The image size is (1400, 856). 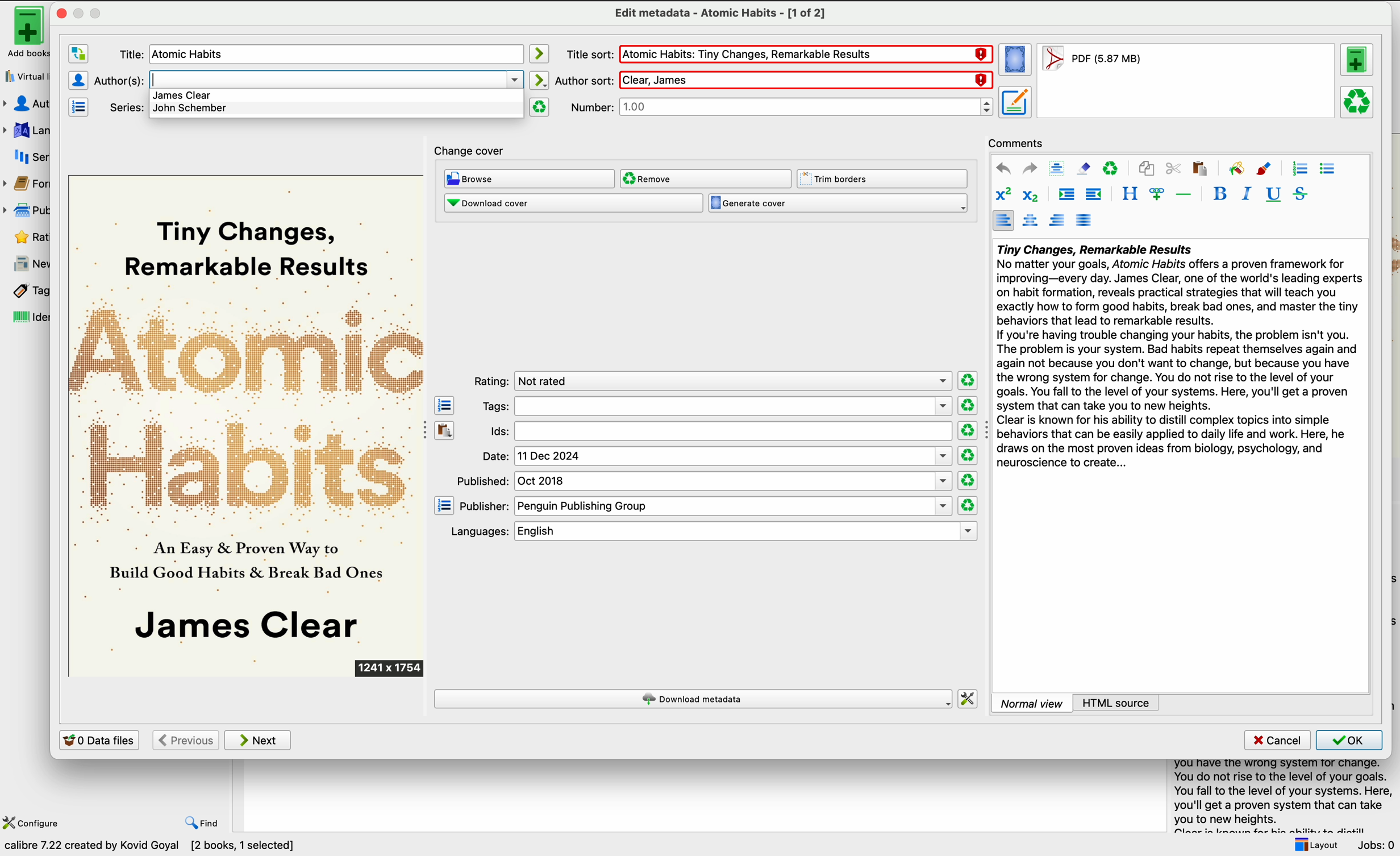 I want to click on delete the text, so click(x=119, y=80).